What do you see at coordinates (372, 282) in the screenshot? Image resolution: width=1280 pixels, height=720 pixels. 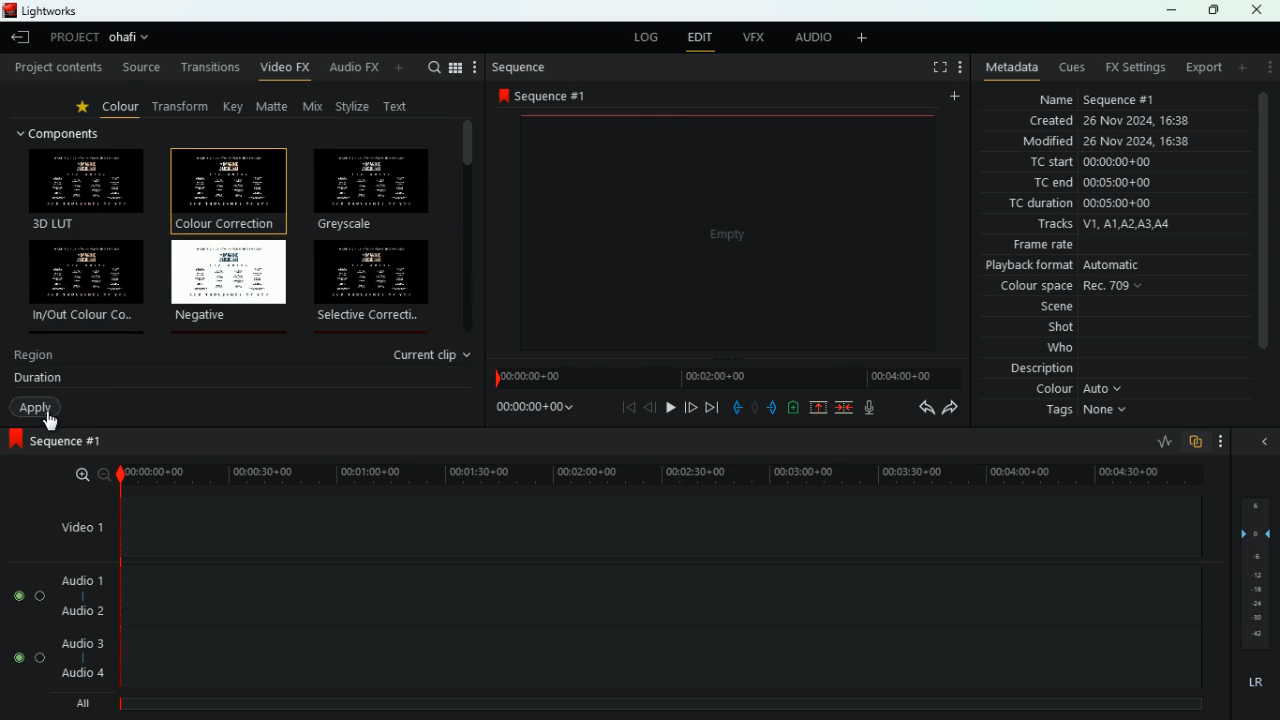 I see `Selective corrrection` at bounding box center [372, 282].